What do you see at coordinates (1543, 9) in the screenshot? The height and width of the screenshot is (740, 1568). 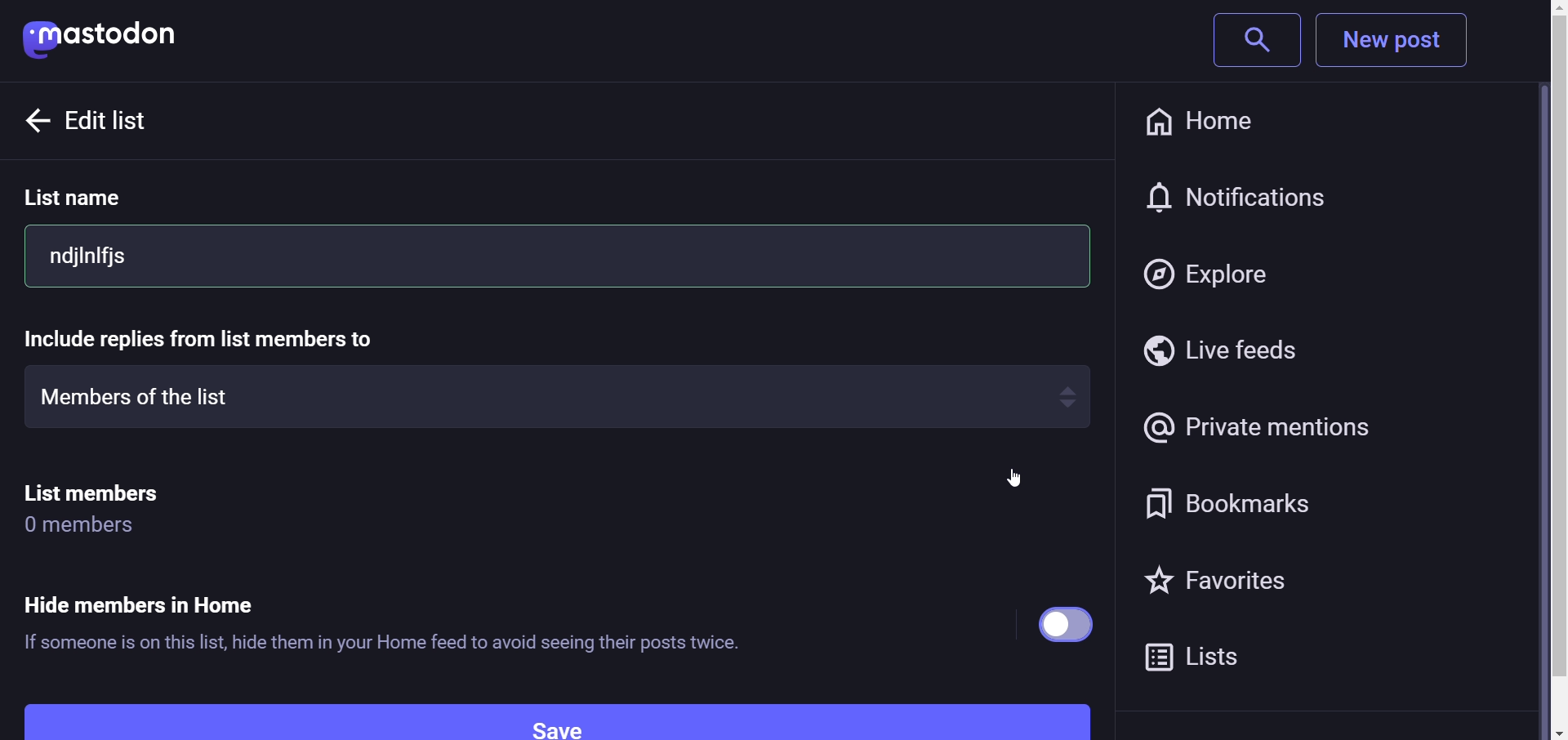 I see `scroll up` at bounding box center [1543, 9].